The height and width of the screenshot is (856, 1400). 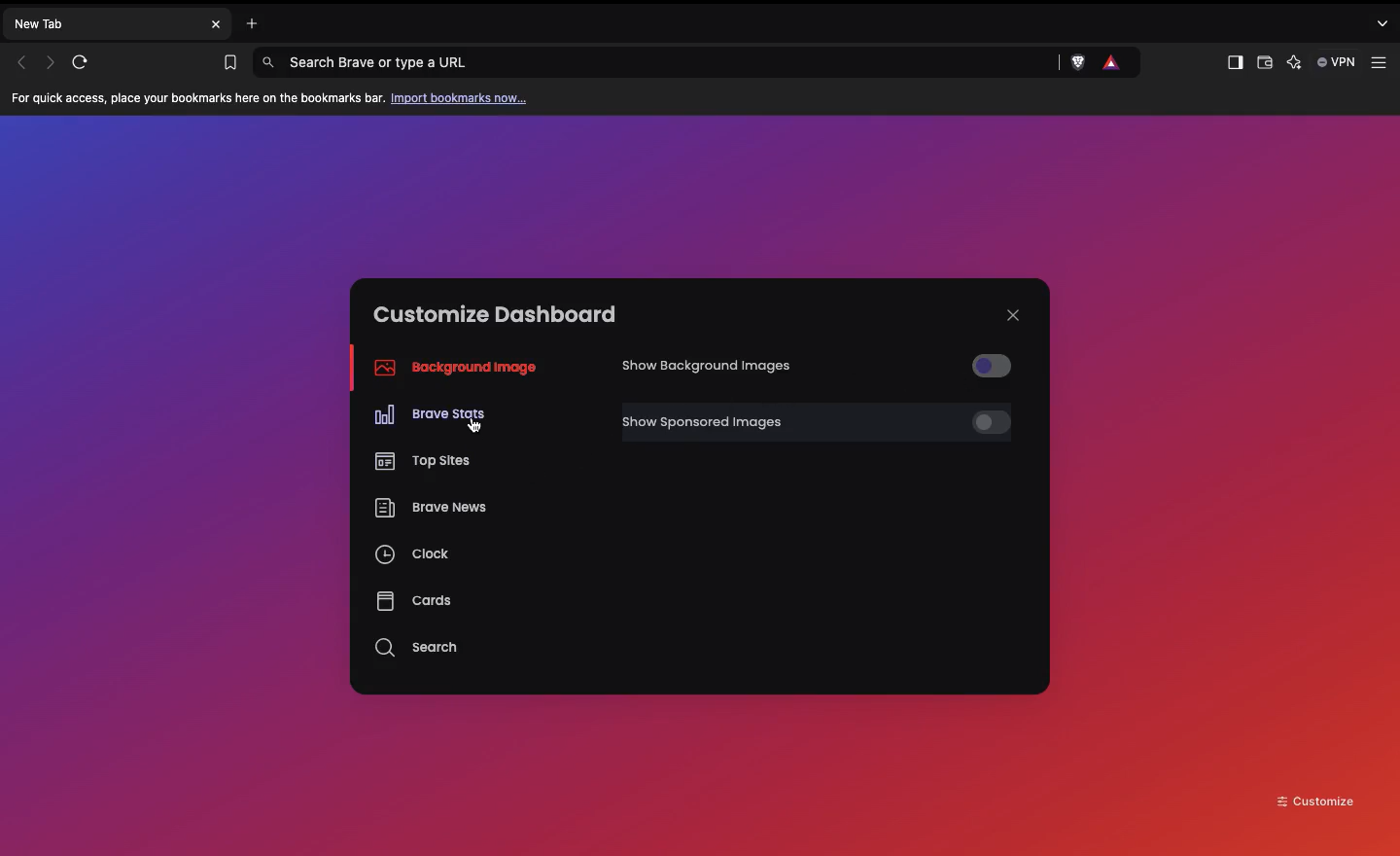 I want to click on Import bookmarks now..., so click(x=463, y=97).